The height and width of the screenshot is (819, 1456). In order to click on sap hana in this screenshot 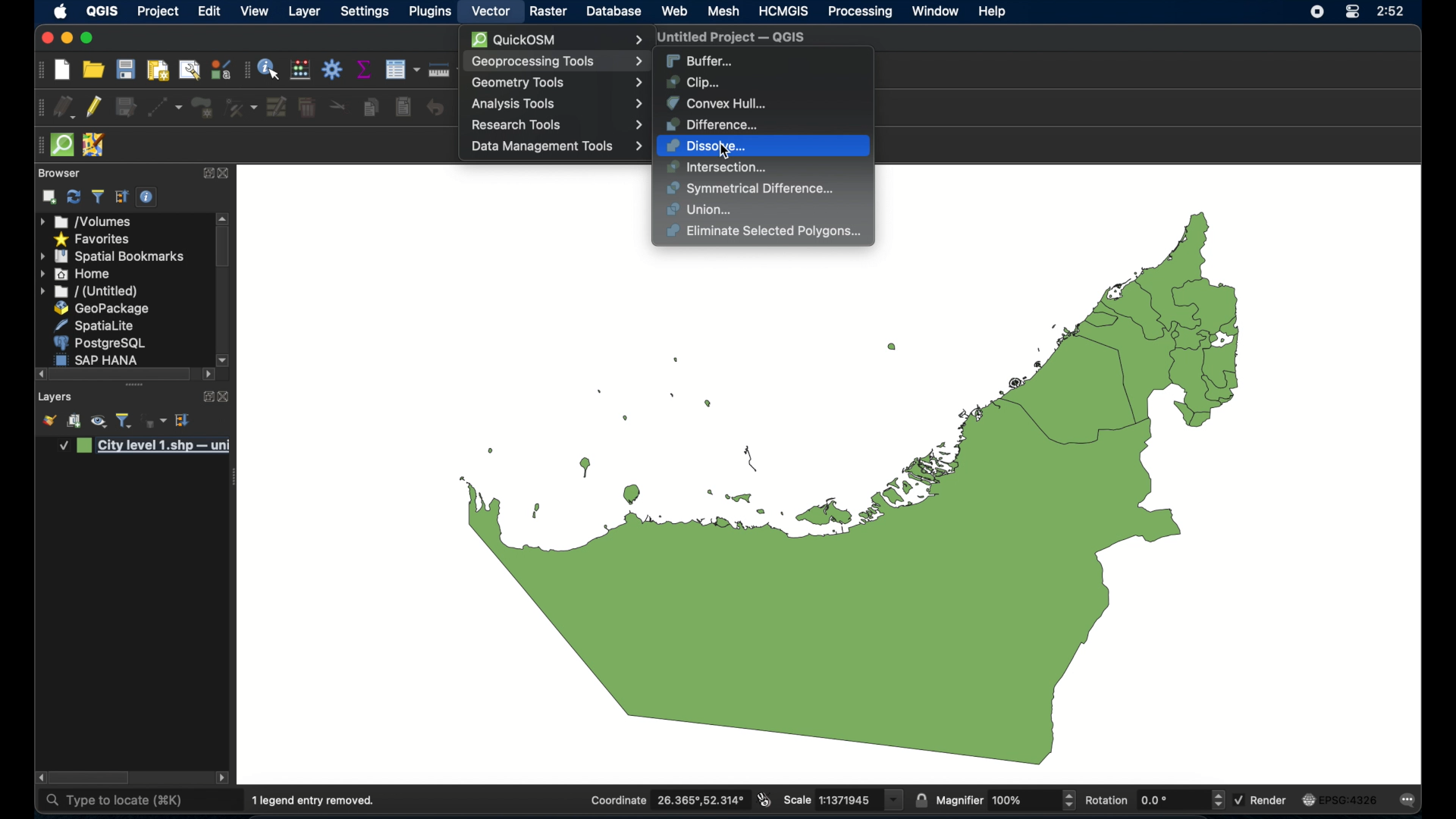, I will do `click(100, 359)`.